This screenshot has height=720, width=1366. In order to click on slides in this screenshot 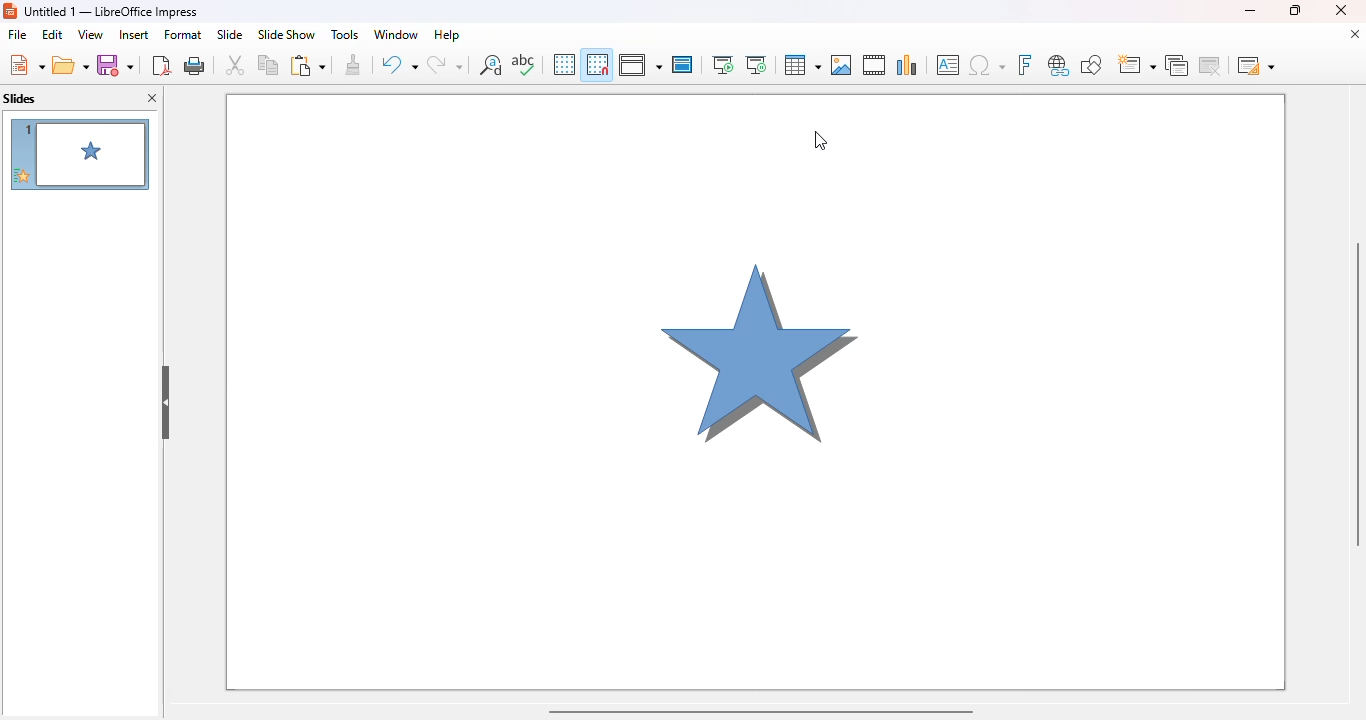, I will do `click(20, 98)`.